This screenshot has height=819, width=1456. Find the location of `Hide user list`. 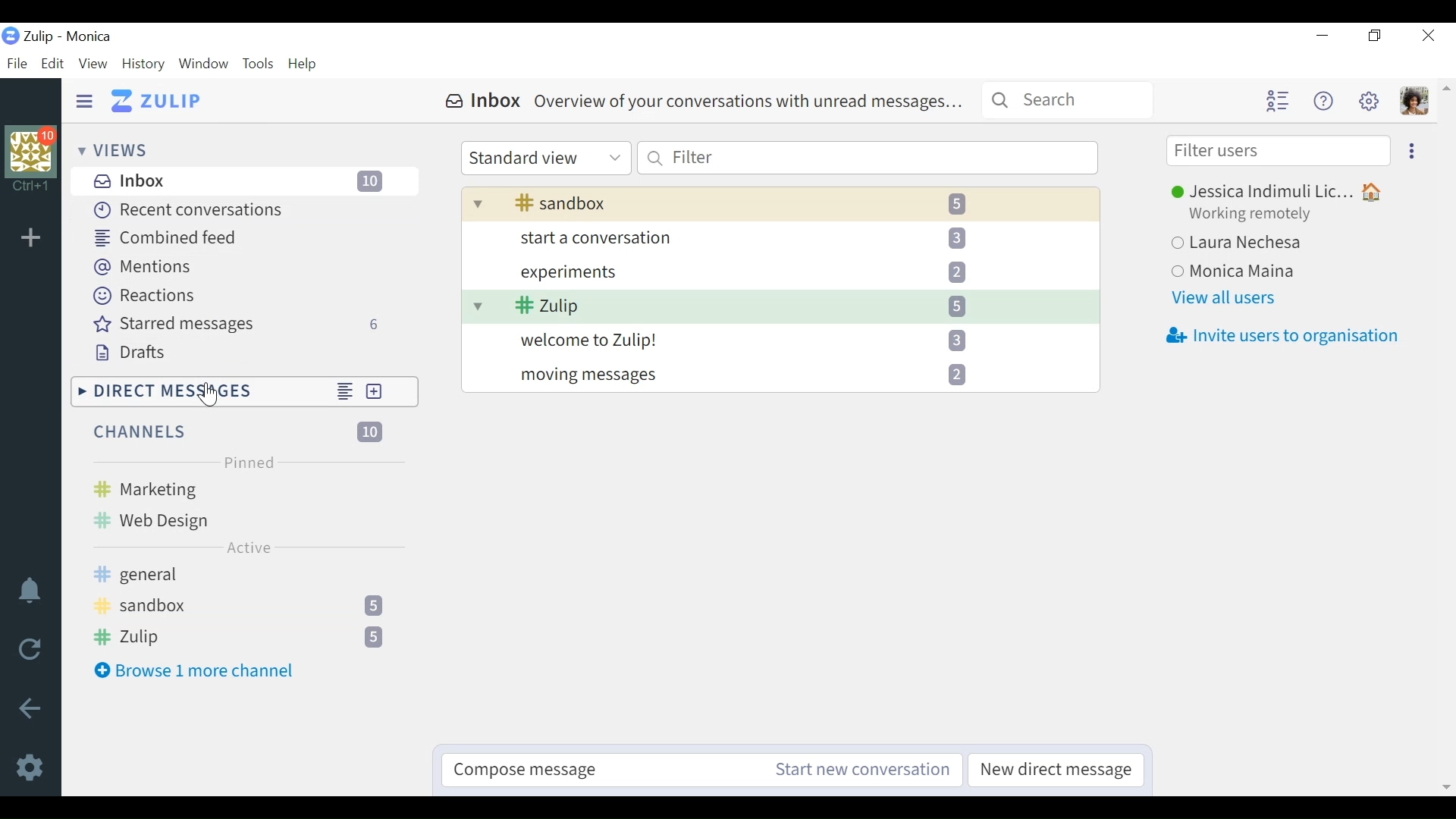

Hide user list is located at coordinates (1276, 99).